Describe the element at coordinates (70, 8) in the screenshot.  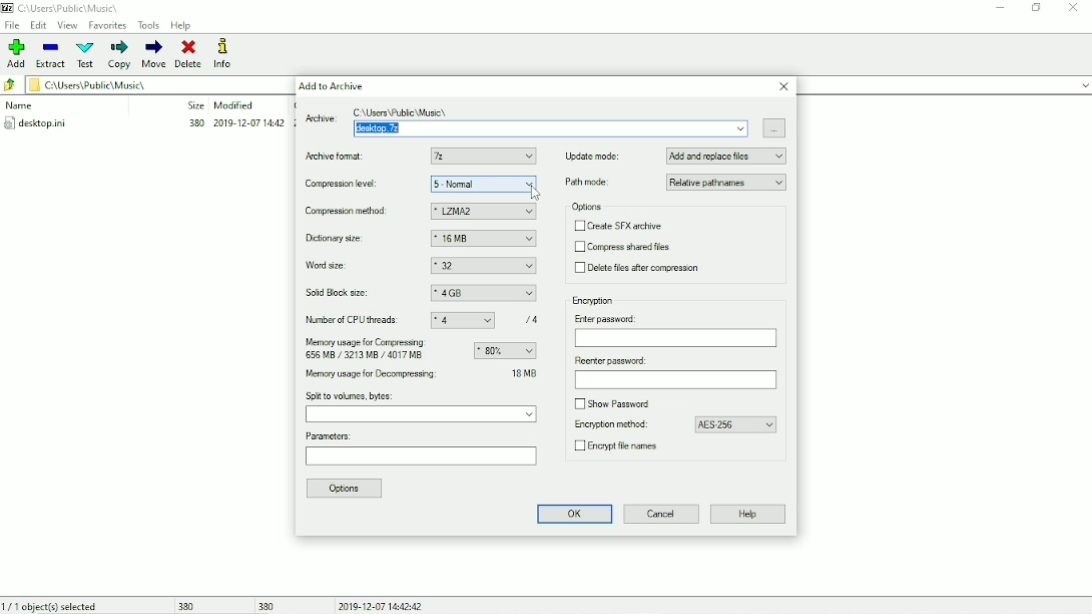
I see `File location` at that location.